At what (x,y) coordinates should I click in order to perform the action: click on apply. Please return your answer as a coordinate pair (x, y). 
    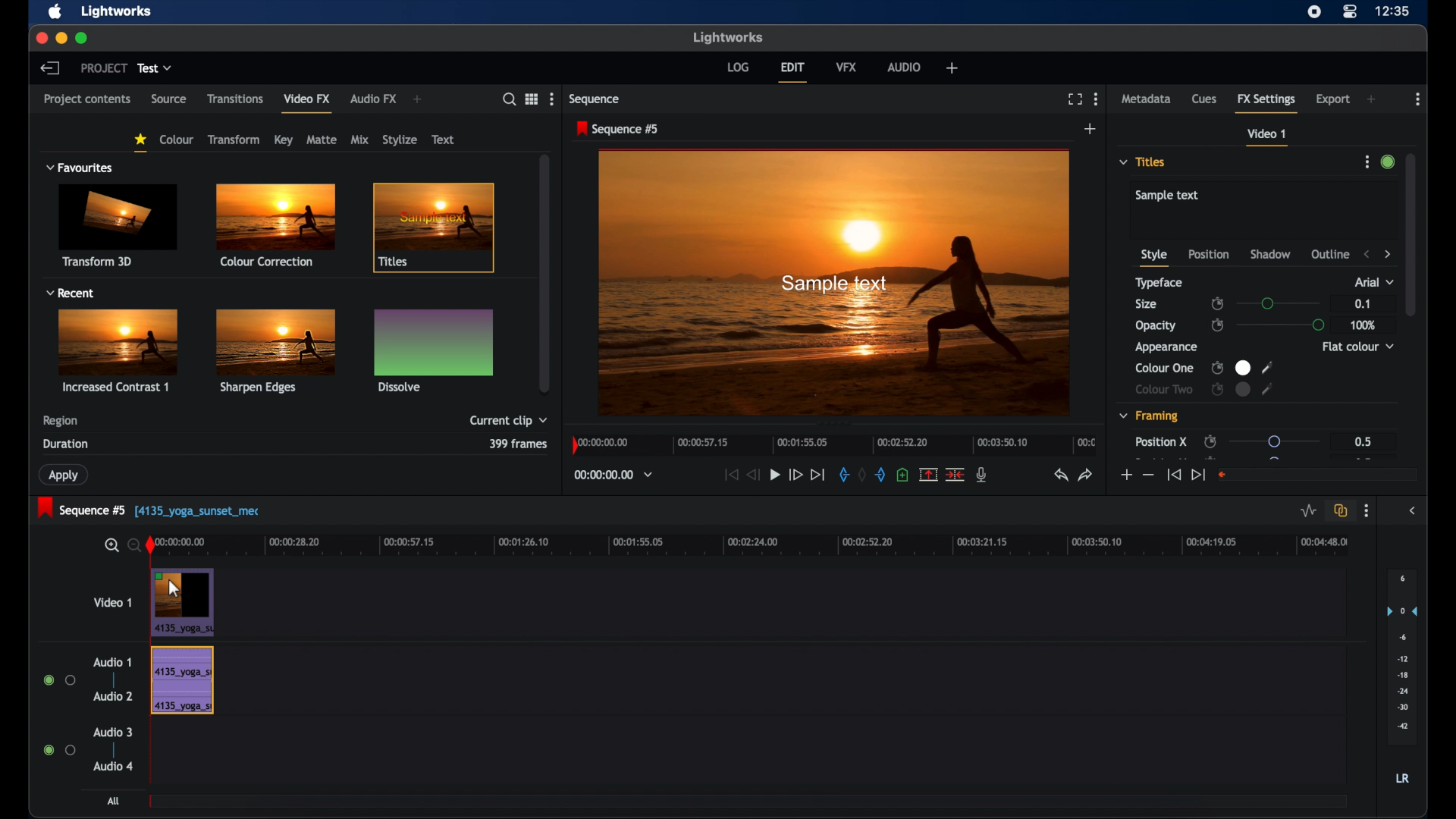
    Looking at the image, I should click on (65, 475).